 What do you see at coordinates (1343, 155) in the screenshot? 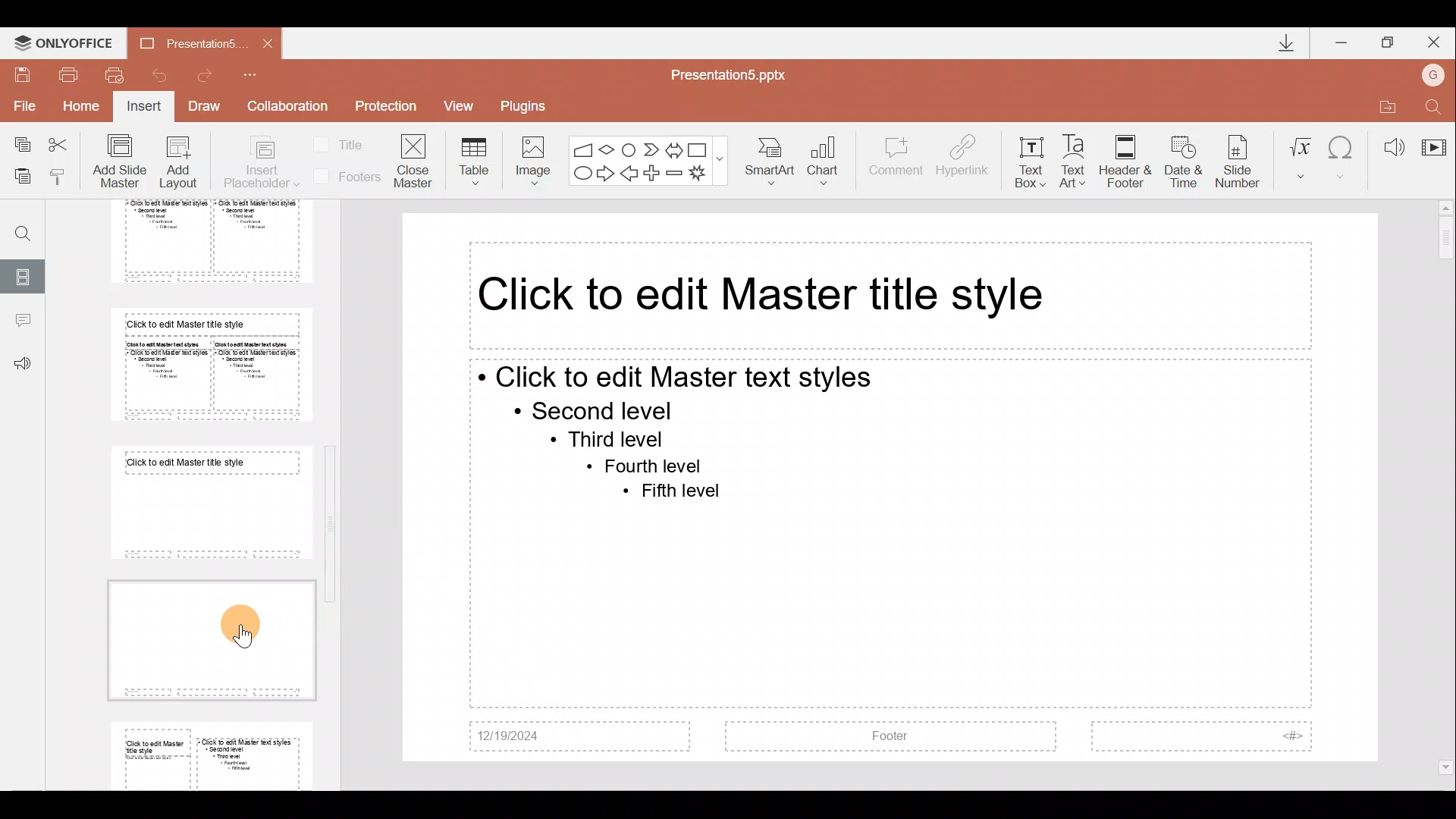
I see `Symbol` at bounding box center [1343, 155].